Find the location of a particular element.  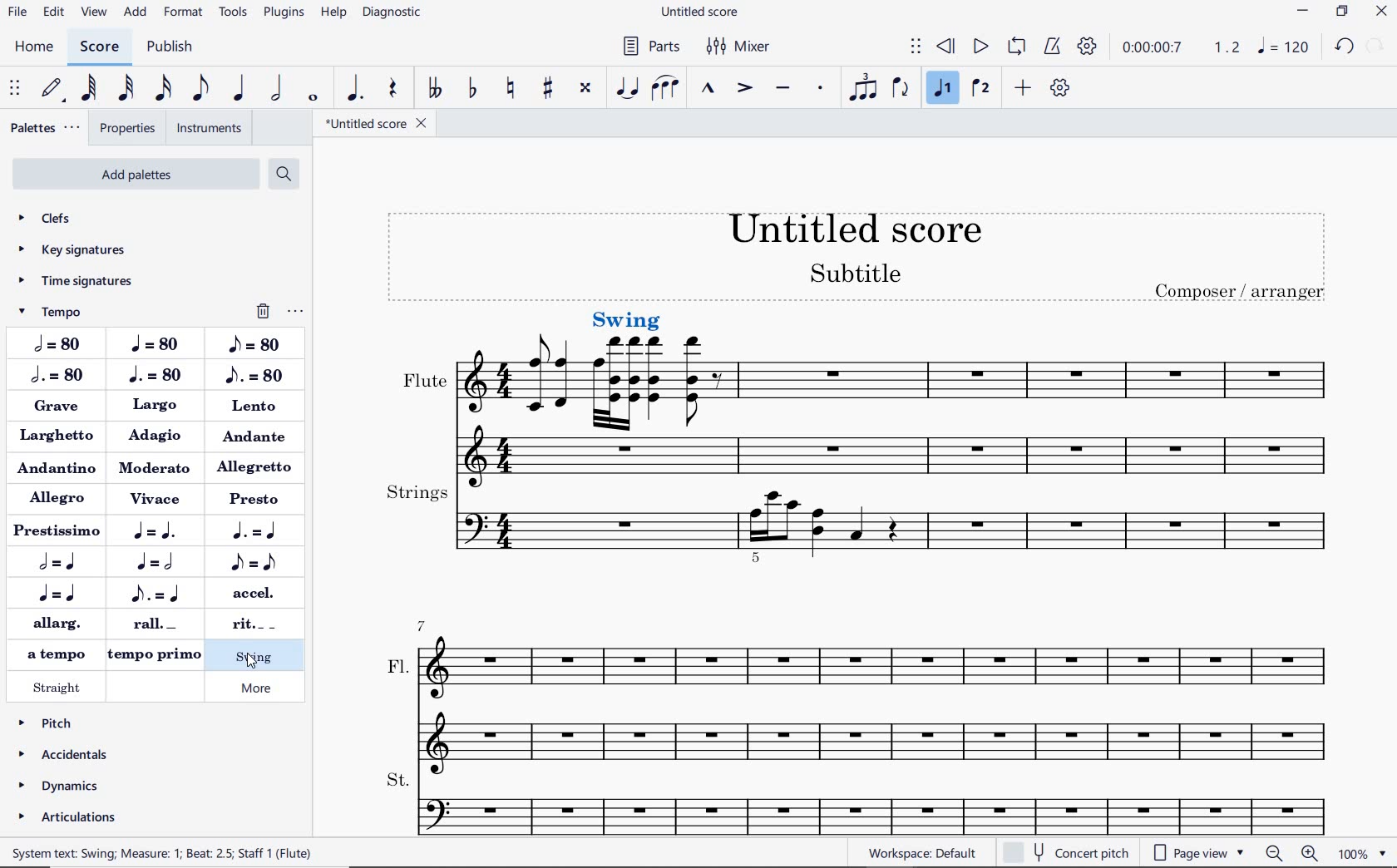

GRAVE is located at coordinates (62, 410).